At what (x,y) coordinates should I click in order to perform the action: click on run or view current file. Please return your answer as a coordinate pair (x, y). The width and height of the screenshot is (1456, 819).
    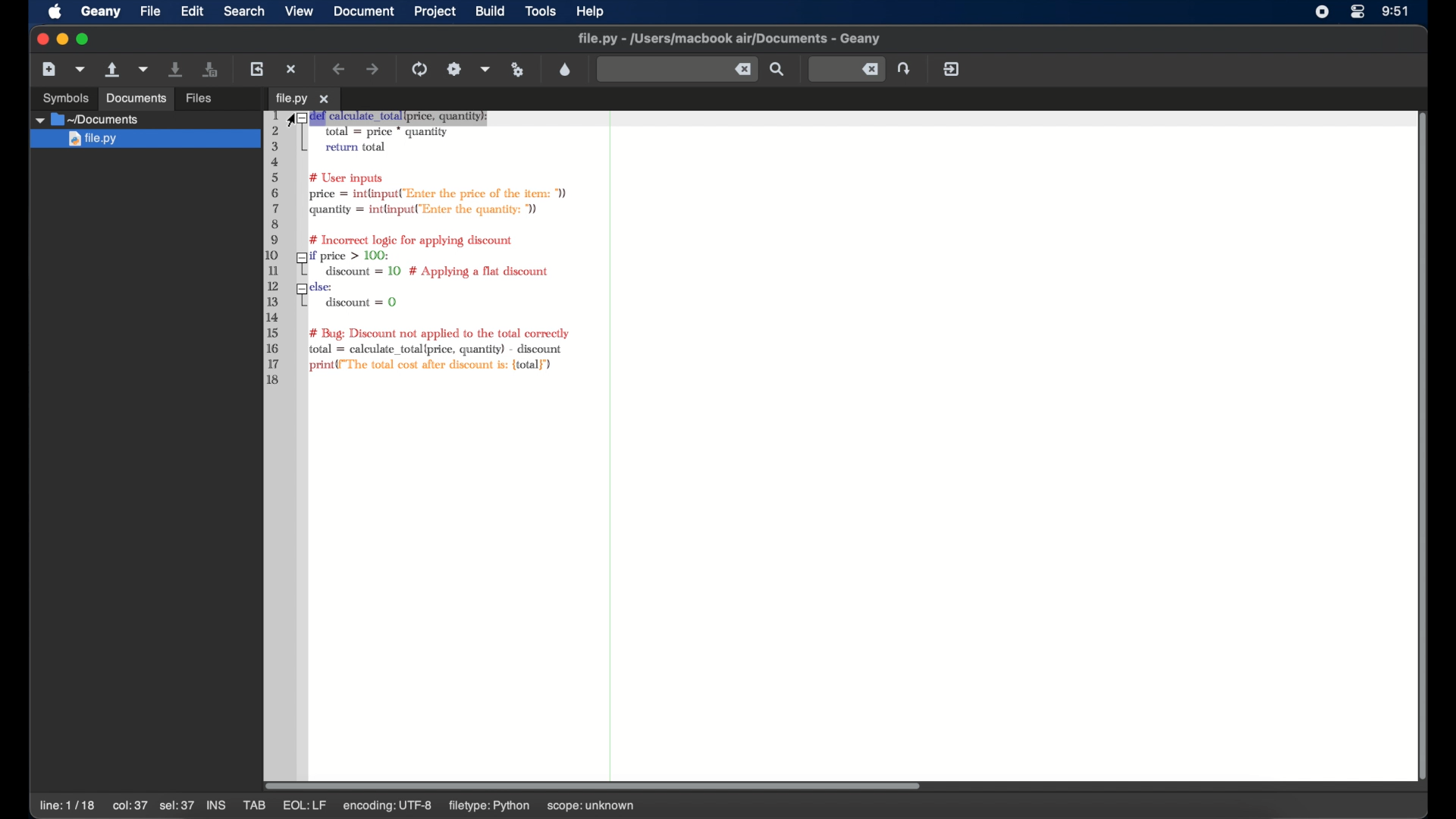
    Looking at the image, I should click on (518, 69).